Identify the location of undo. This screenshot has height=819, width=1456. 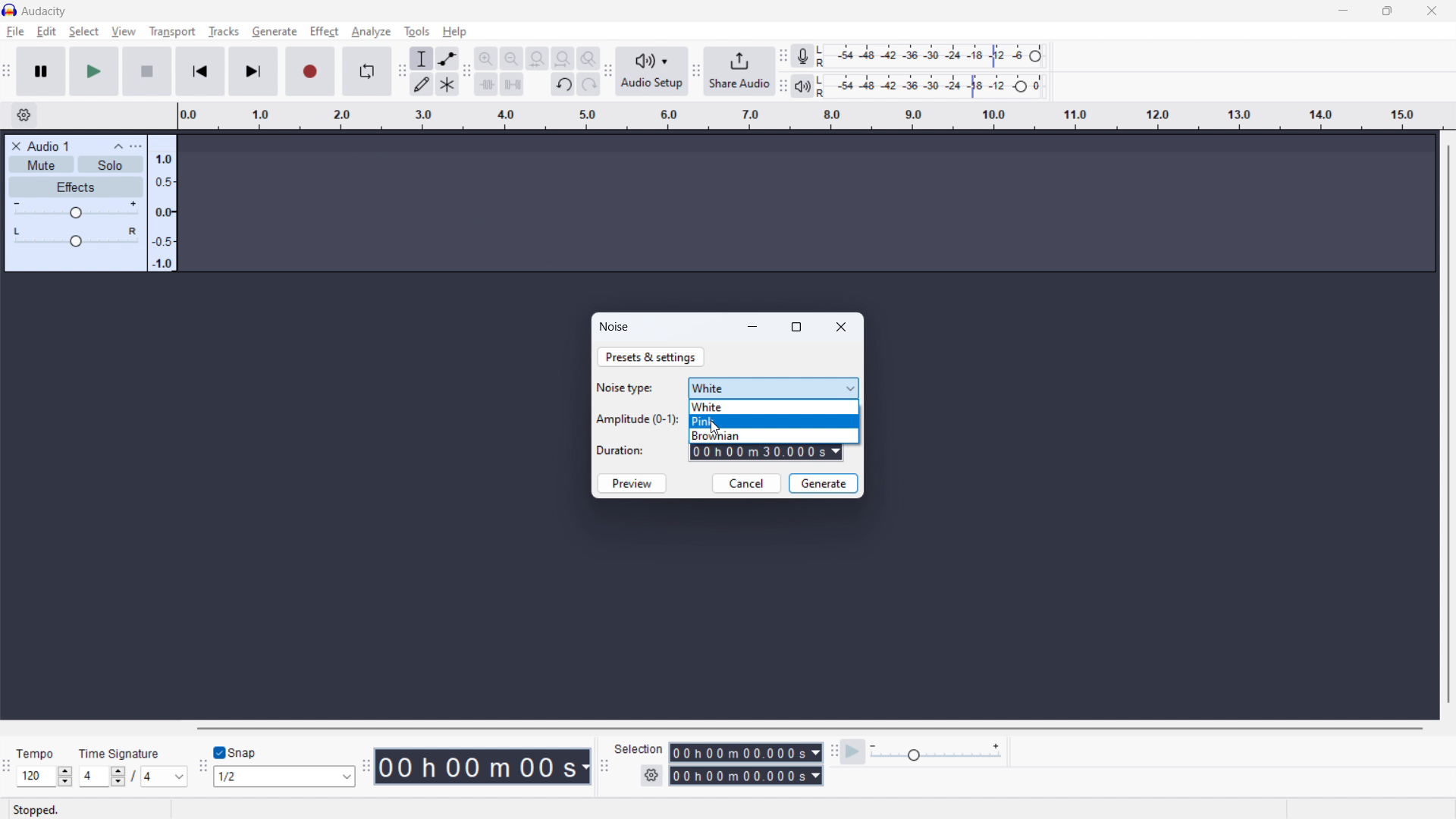
(563, 84).